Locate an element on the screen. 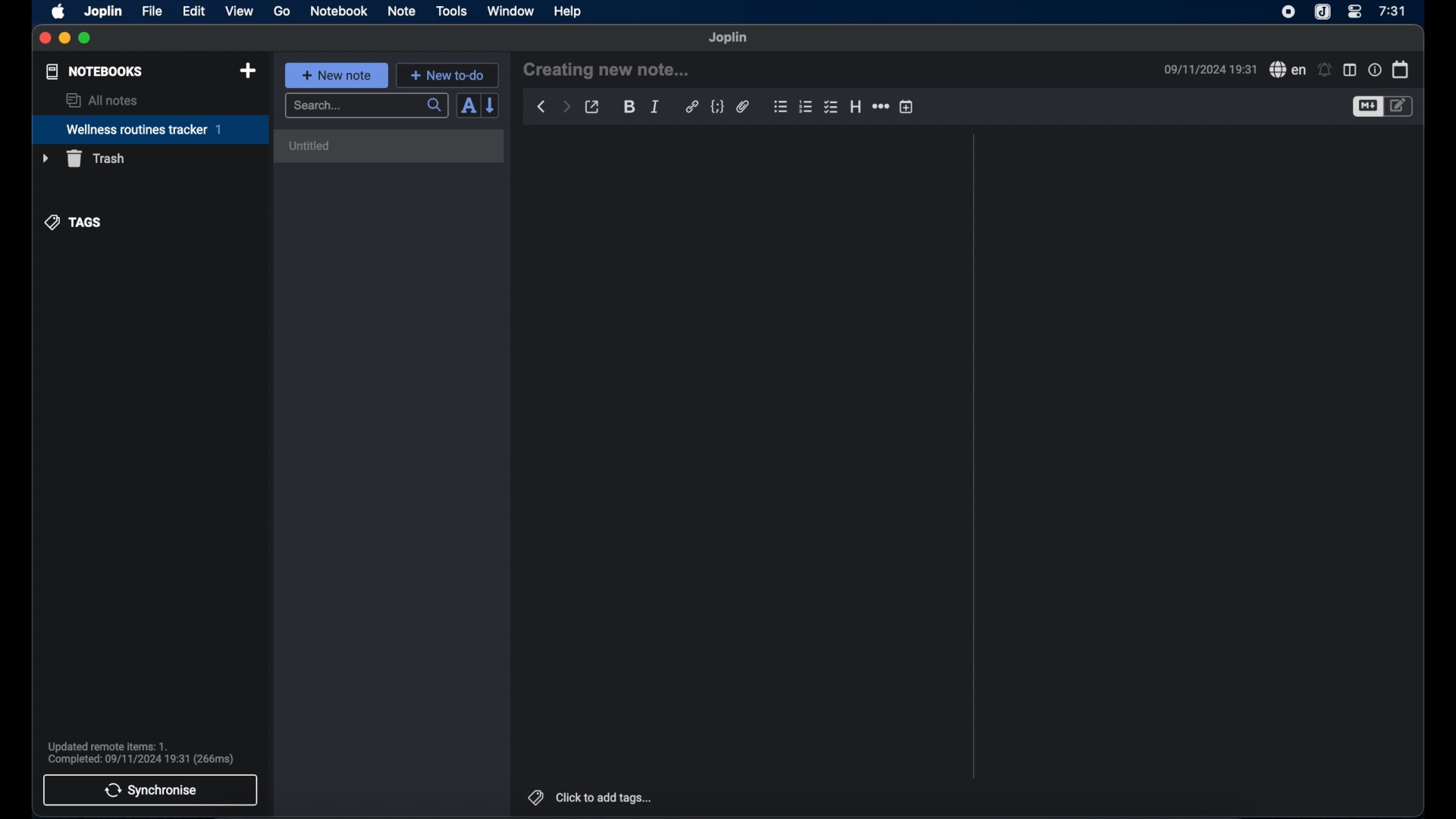  help is located at coordinates (569, 11).